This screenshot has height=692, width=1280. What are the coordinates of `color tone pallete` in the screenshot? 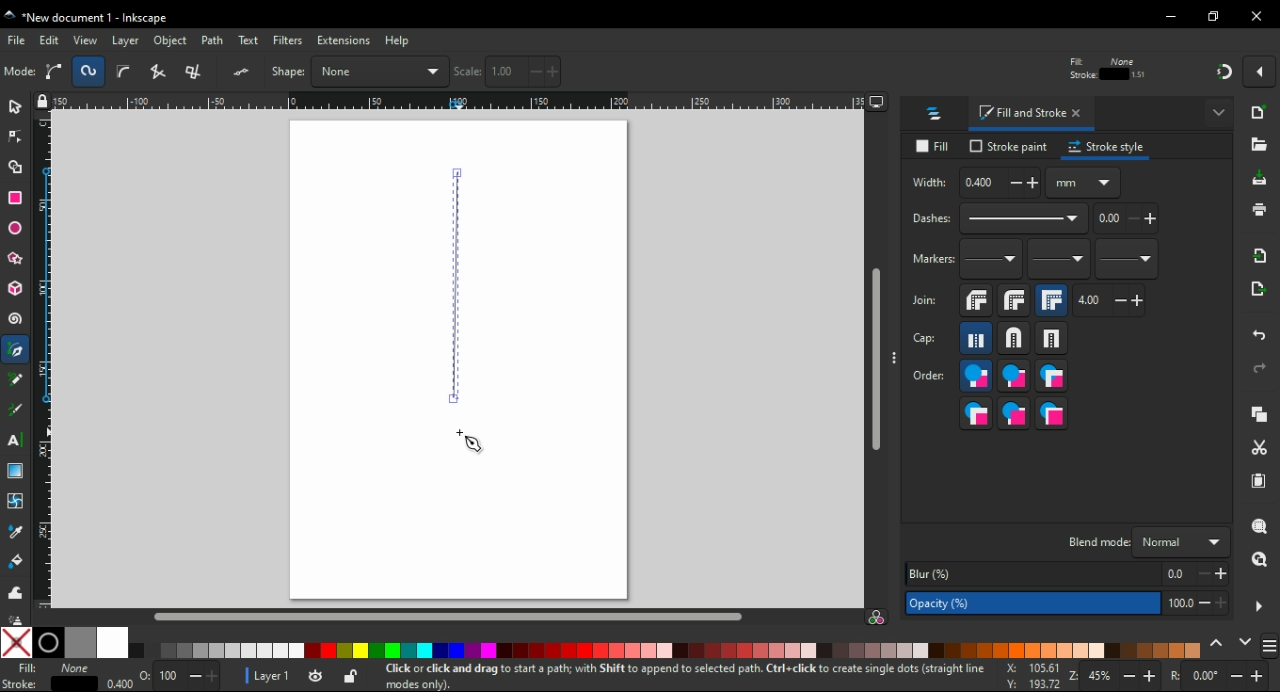 It's located at (599, 649).